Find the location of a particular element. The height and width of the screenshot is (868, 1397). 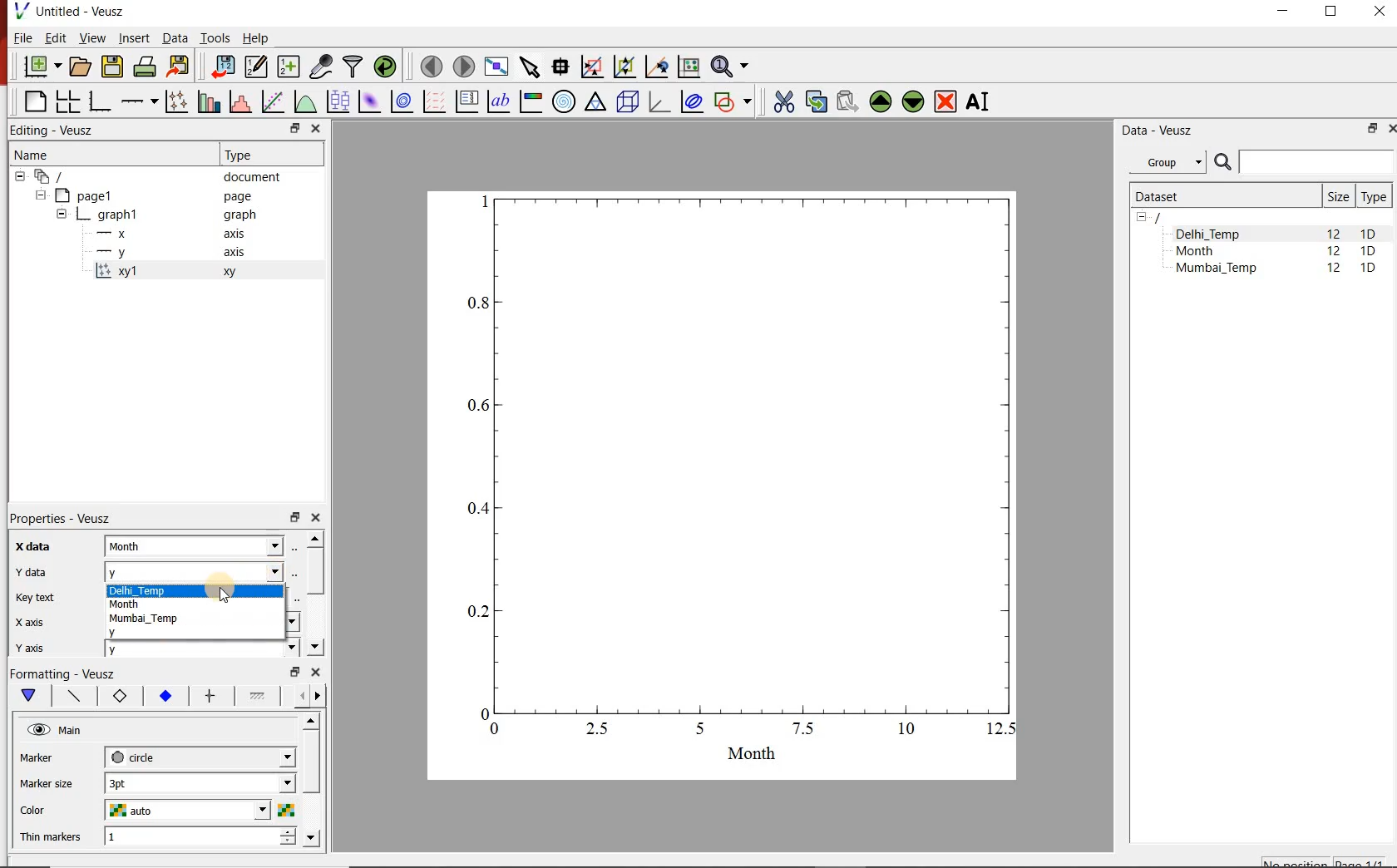

Delhi_Temp is located at coordinates (184, 591).